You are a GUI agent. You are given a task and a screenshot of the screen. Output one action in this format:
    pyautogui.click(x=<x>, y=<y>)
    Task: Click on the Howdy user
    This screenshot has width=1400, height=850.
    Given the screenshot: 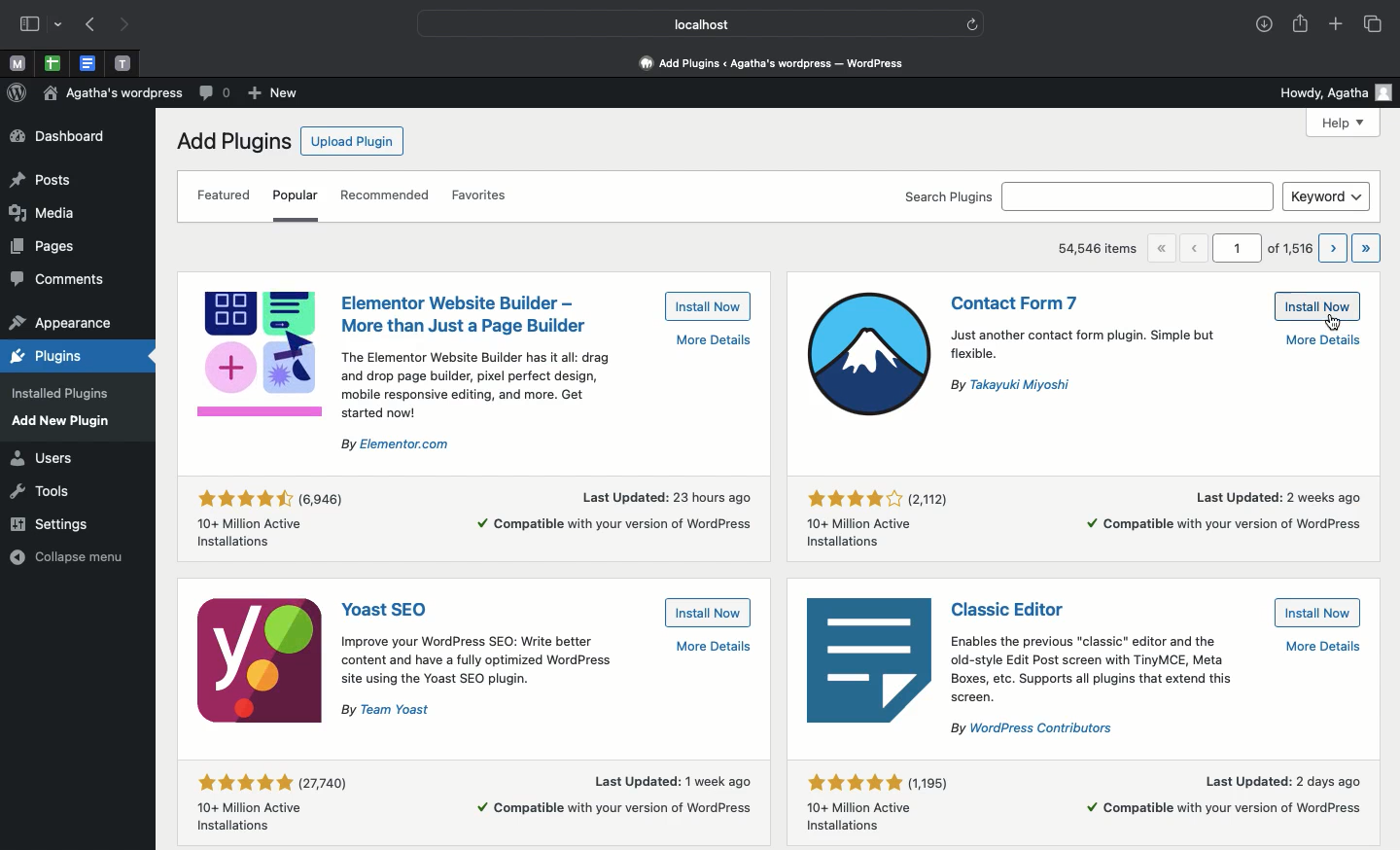 What is the action you would take?
    pyautogui.click(x=1335, y=90)
    